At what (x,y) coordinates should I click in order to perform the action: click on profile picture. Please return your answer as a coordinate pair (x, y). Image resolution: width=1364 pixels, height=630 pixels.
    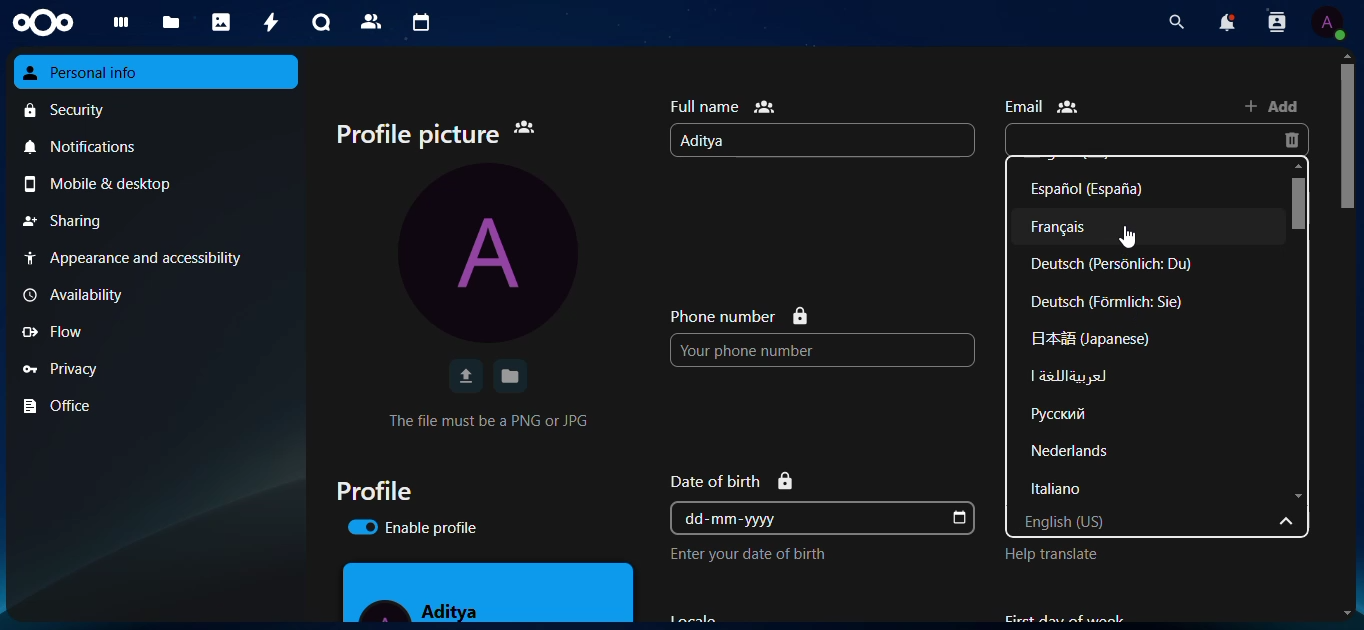
    Looking at the image, I should click on (444, 132).